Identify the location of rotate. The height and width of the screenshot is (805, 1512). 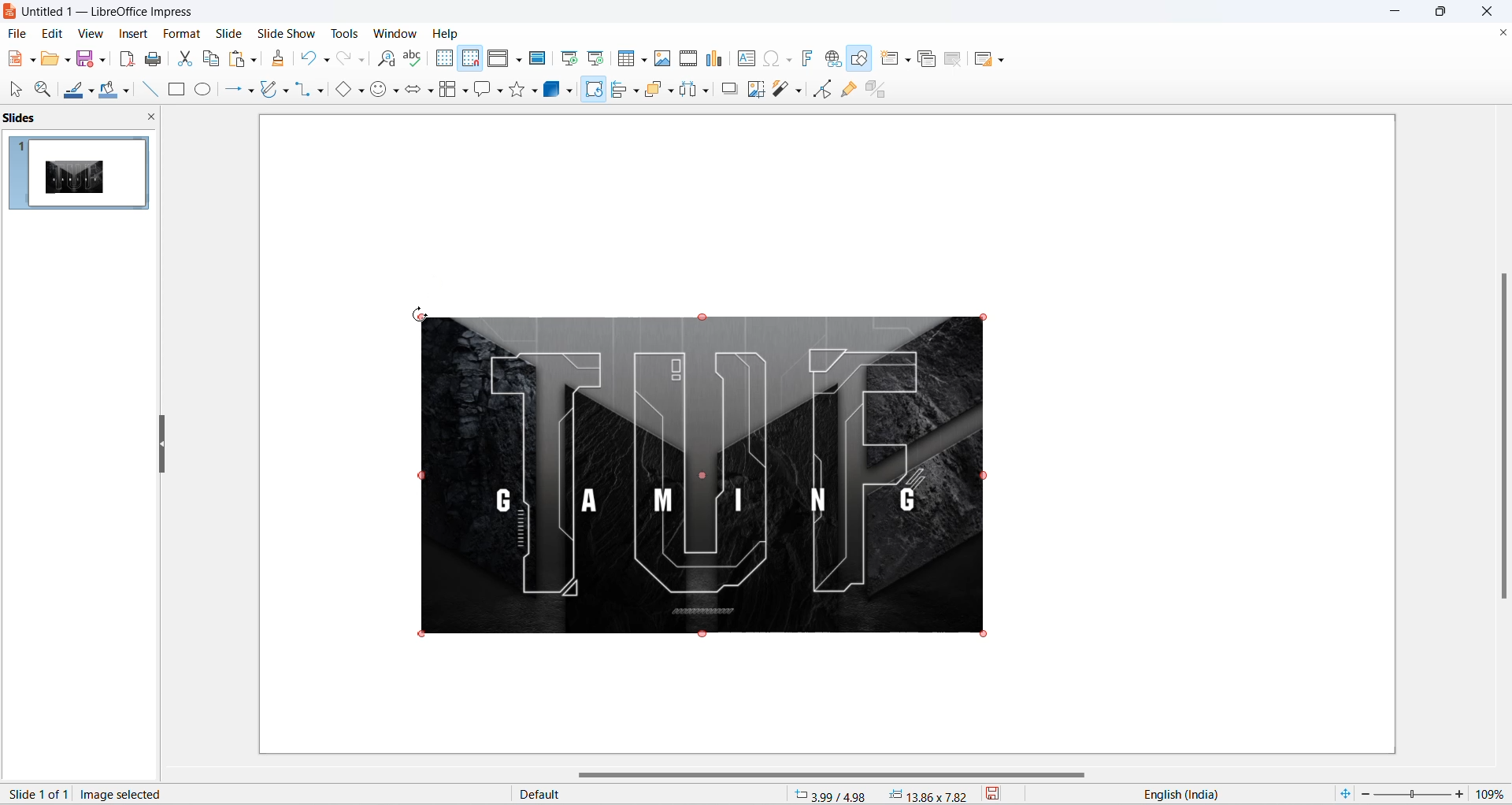
(592, 95).